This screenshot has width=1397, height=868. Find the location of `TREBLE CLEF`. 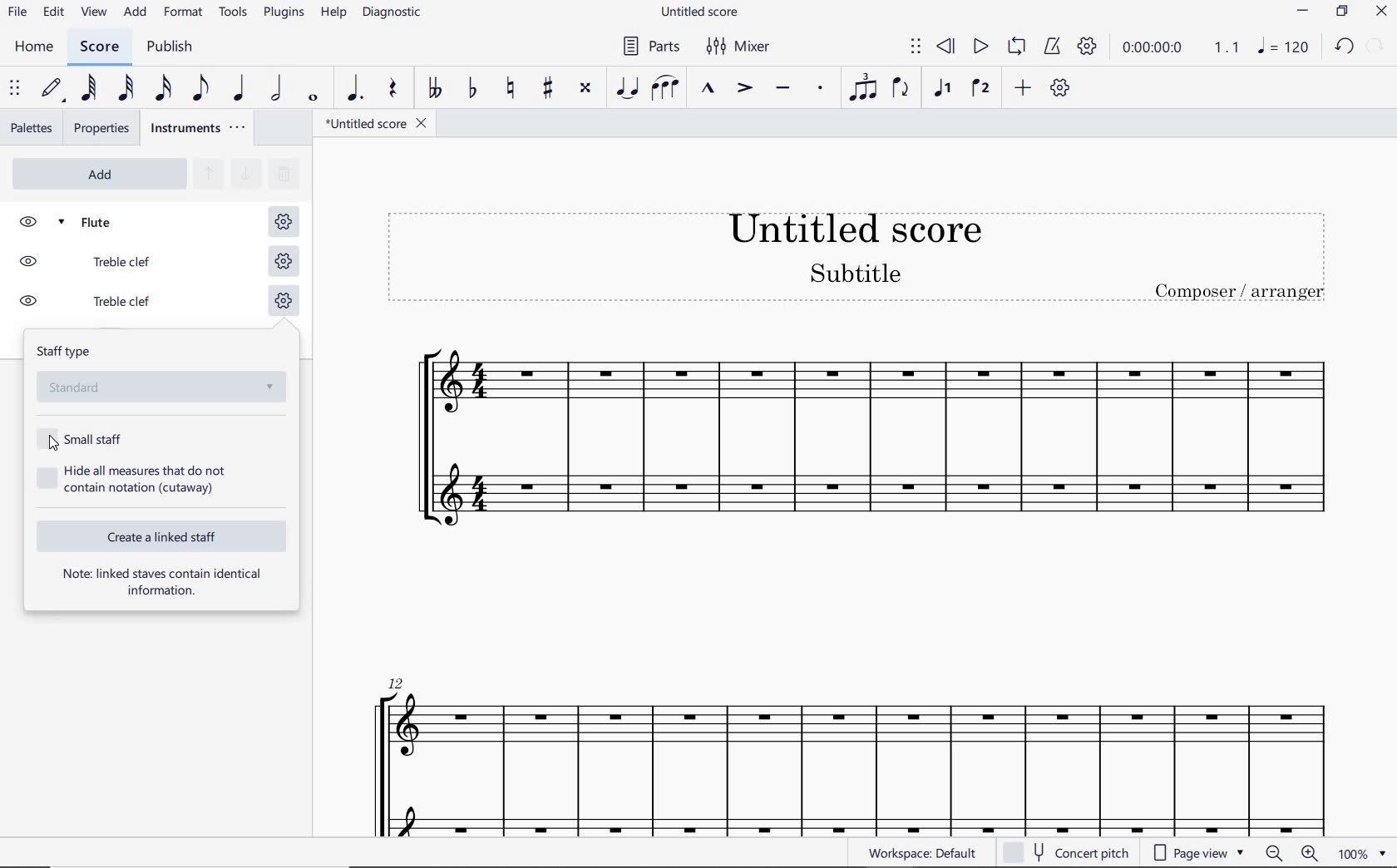

TREBLE CLEF is located at coordinates (102, 303).